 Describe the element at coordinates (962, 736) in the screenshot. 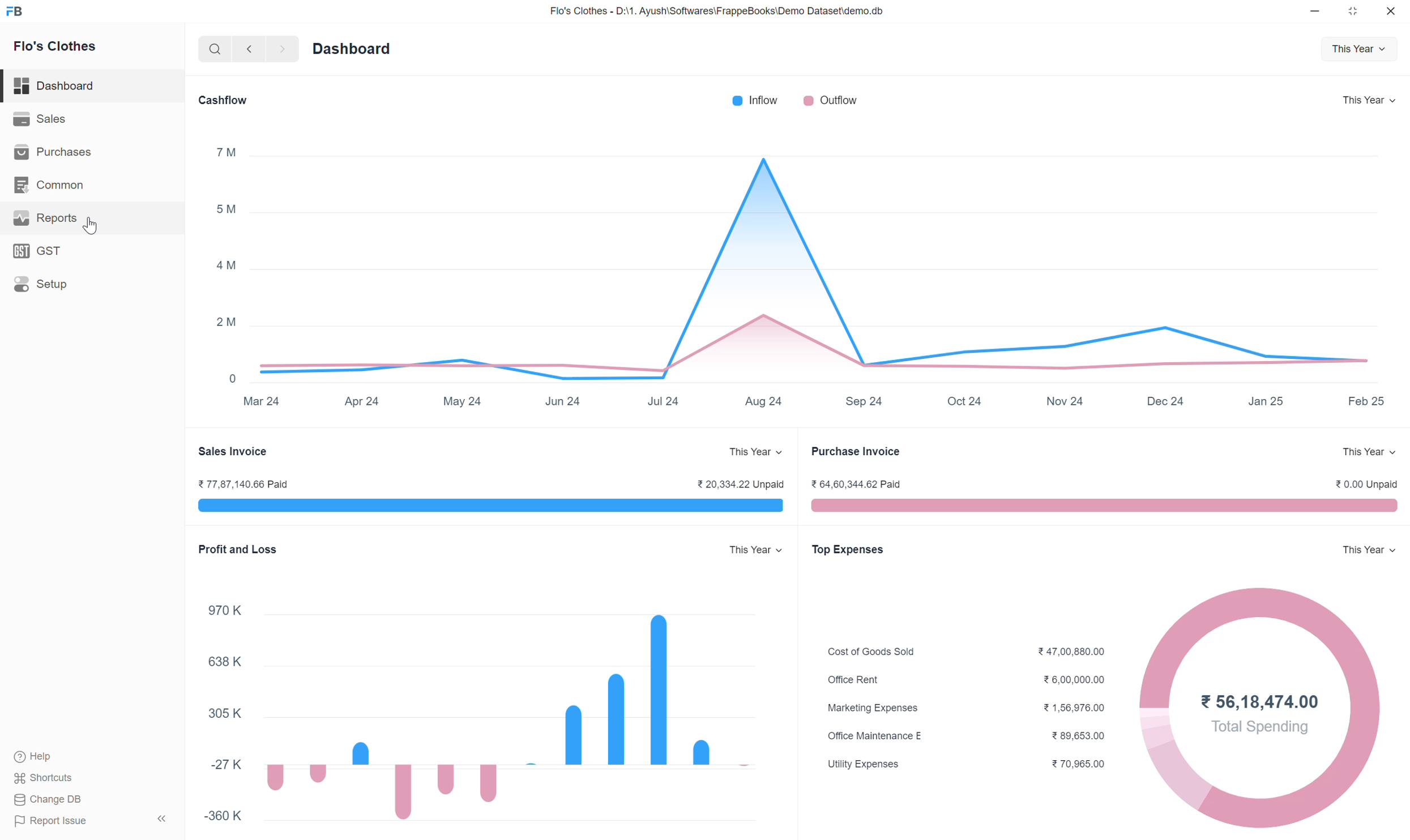

I see `Office Maintenance E 289,653.00` at that location.